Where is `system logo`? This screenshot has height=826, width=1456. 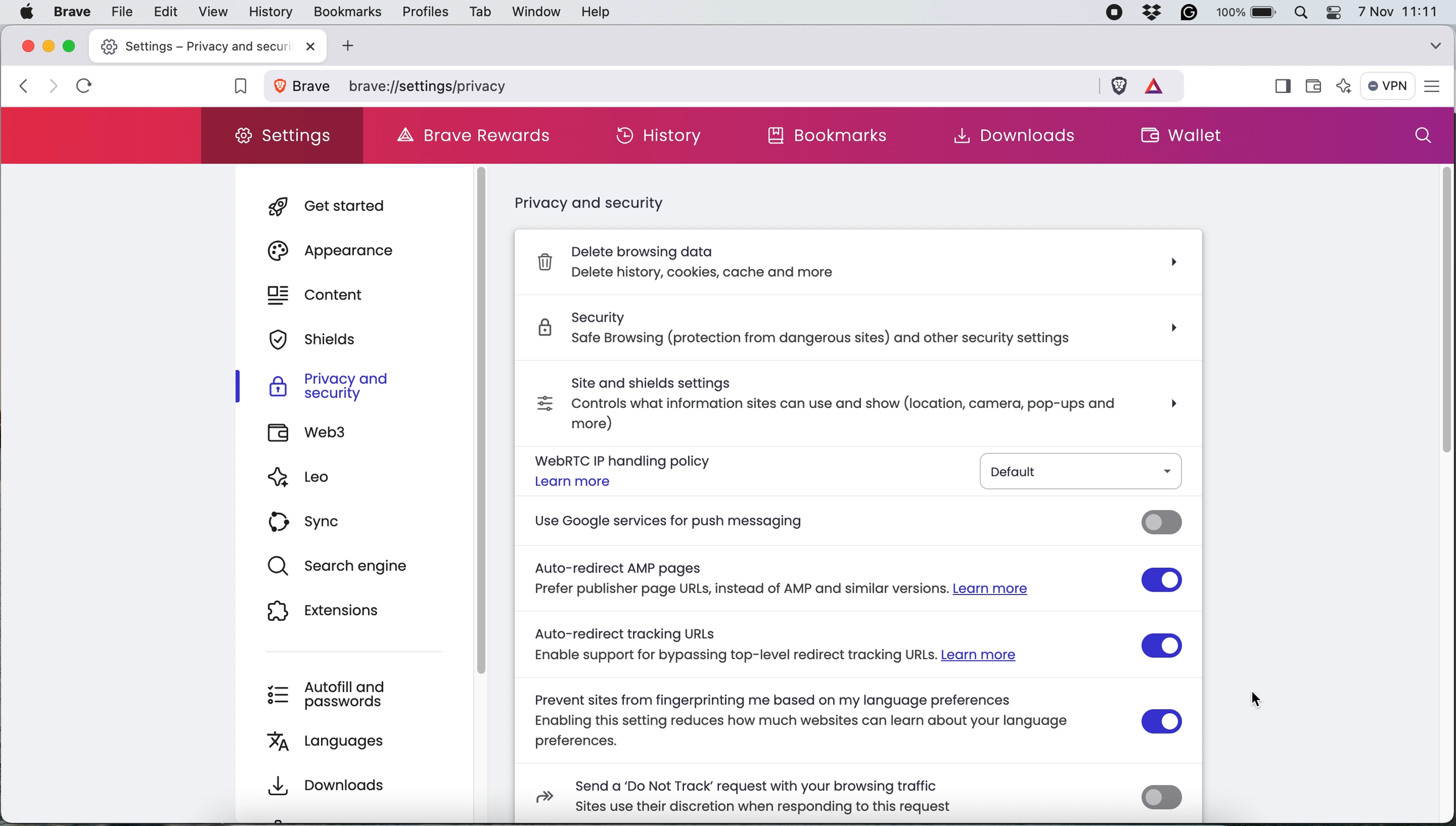 system logo is located at coordinates (26, 11).